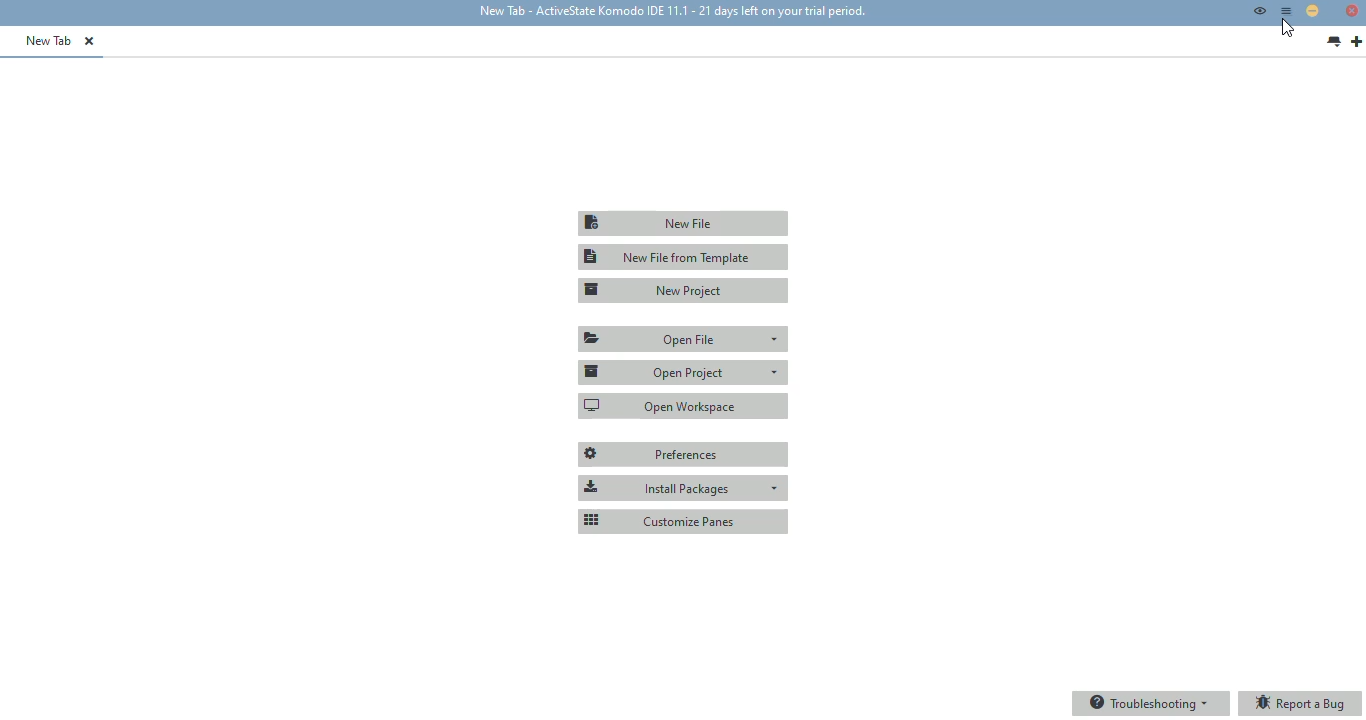  What do you see at coordinates (683, 520) in the screenshot?
I see `customize panes` at bounding box center [683, 520].